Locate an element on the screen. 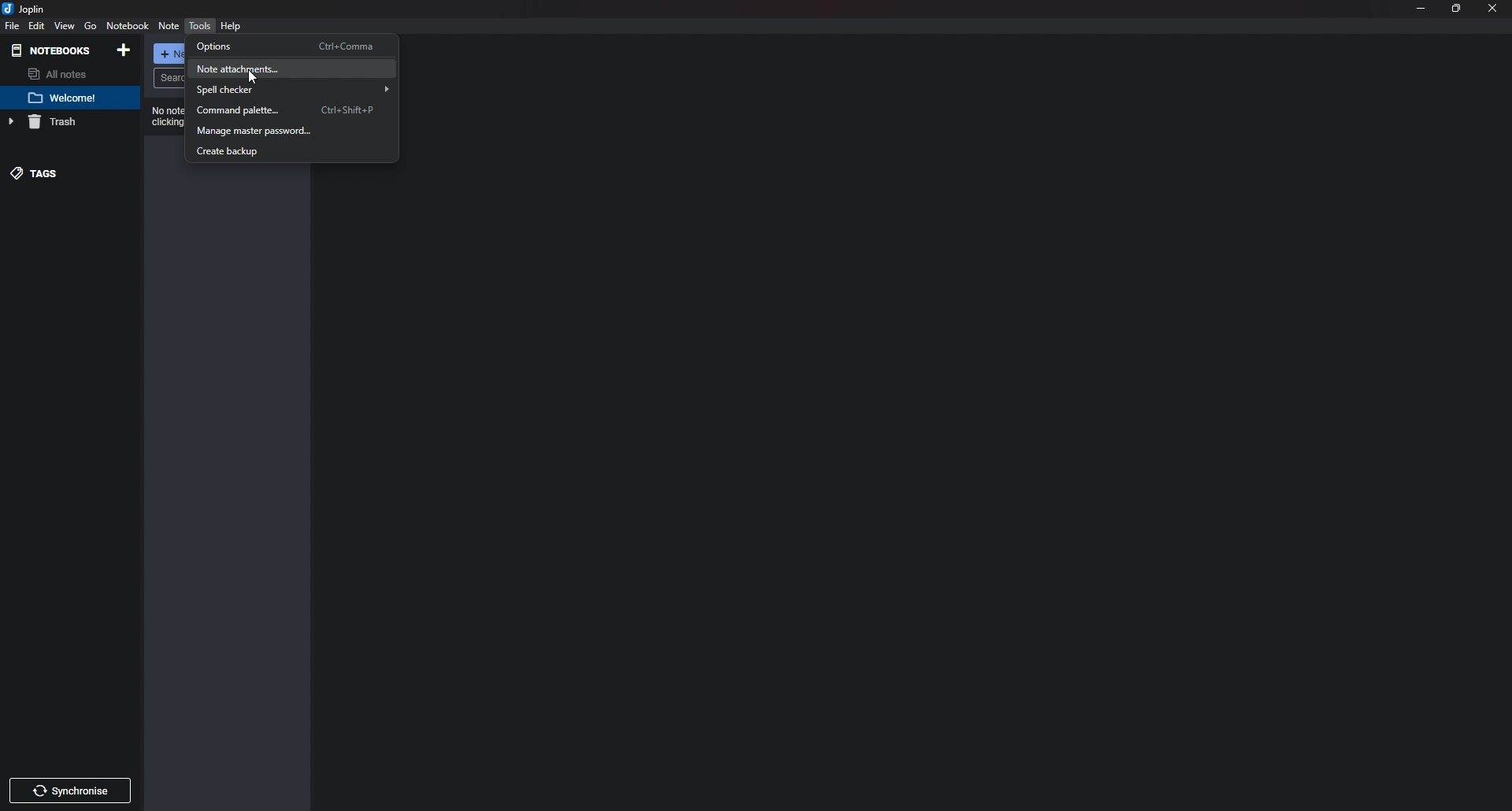 This screenshot has height=811, width=1512. trash is located at coordinates (62, 123).